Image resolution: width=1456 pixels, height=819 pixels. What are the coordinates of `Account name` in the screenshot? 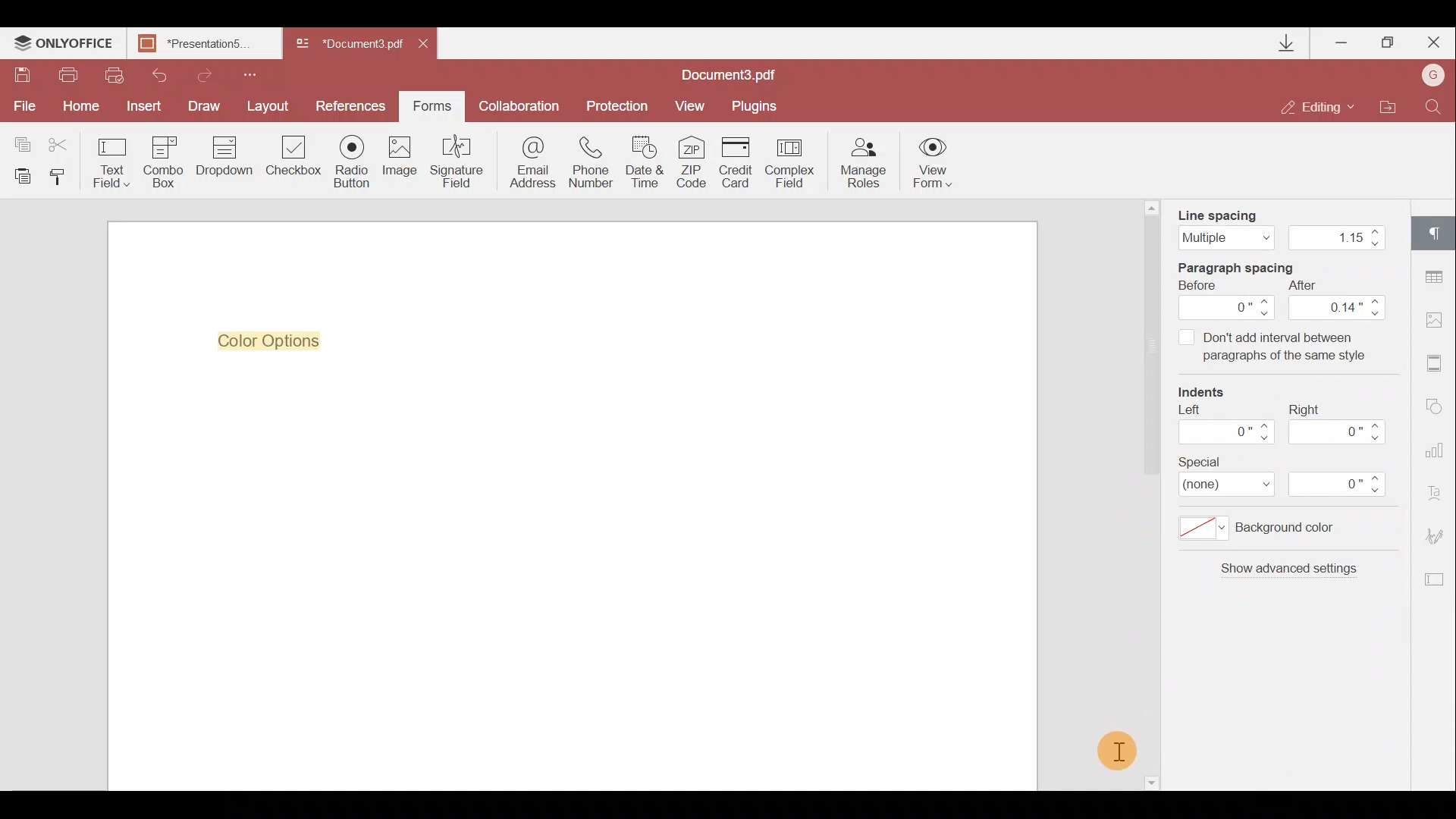 It's located at (1433, 74).